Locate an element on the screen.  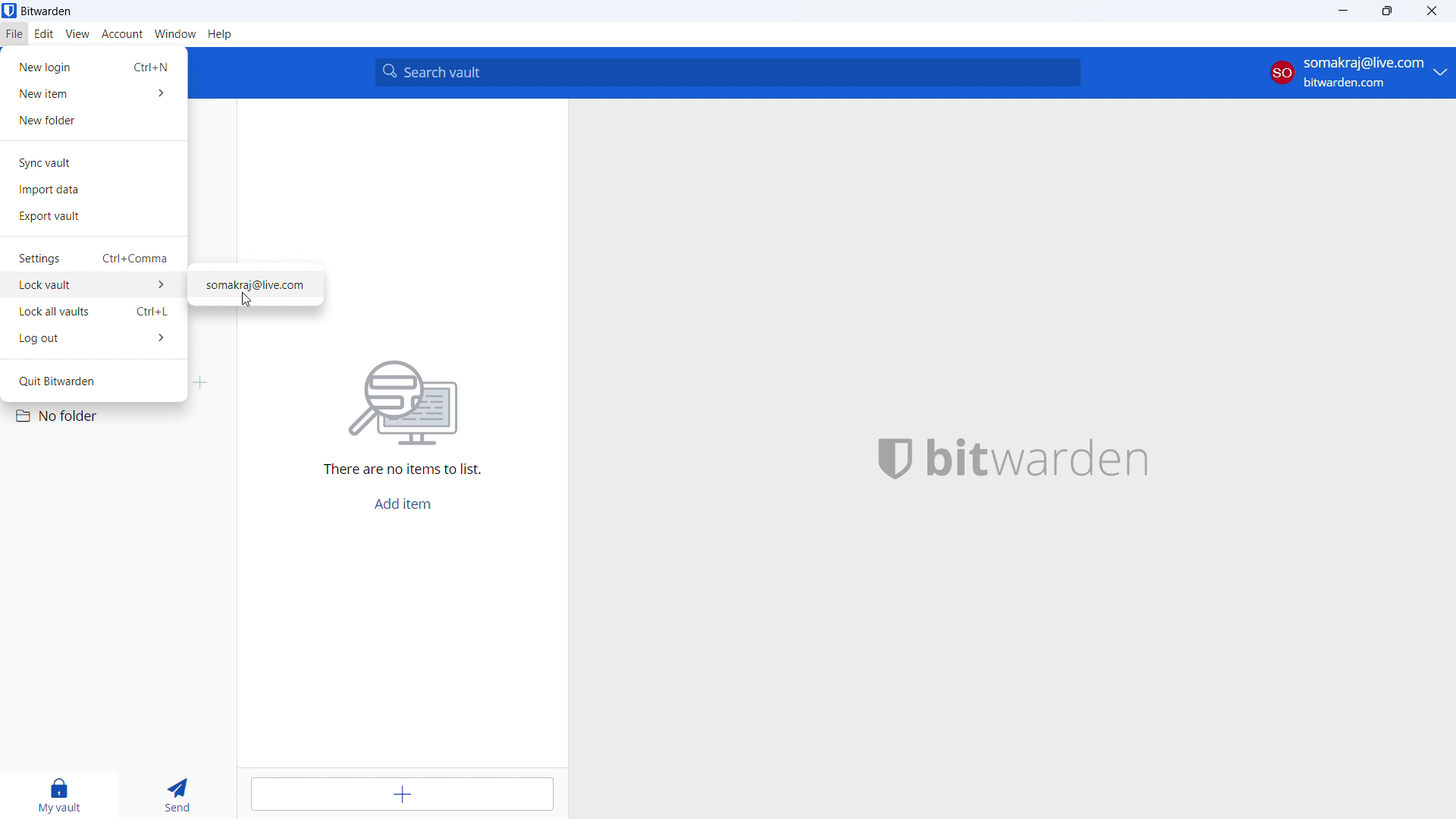
send is located at coordinates (180, 795).